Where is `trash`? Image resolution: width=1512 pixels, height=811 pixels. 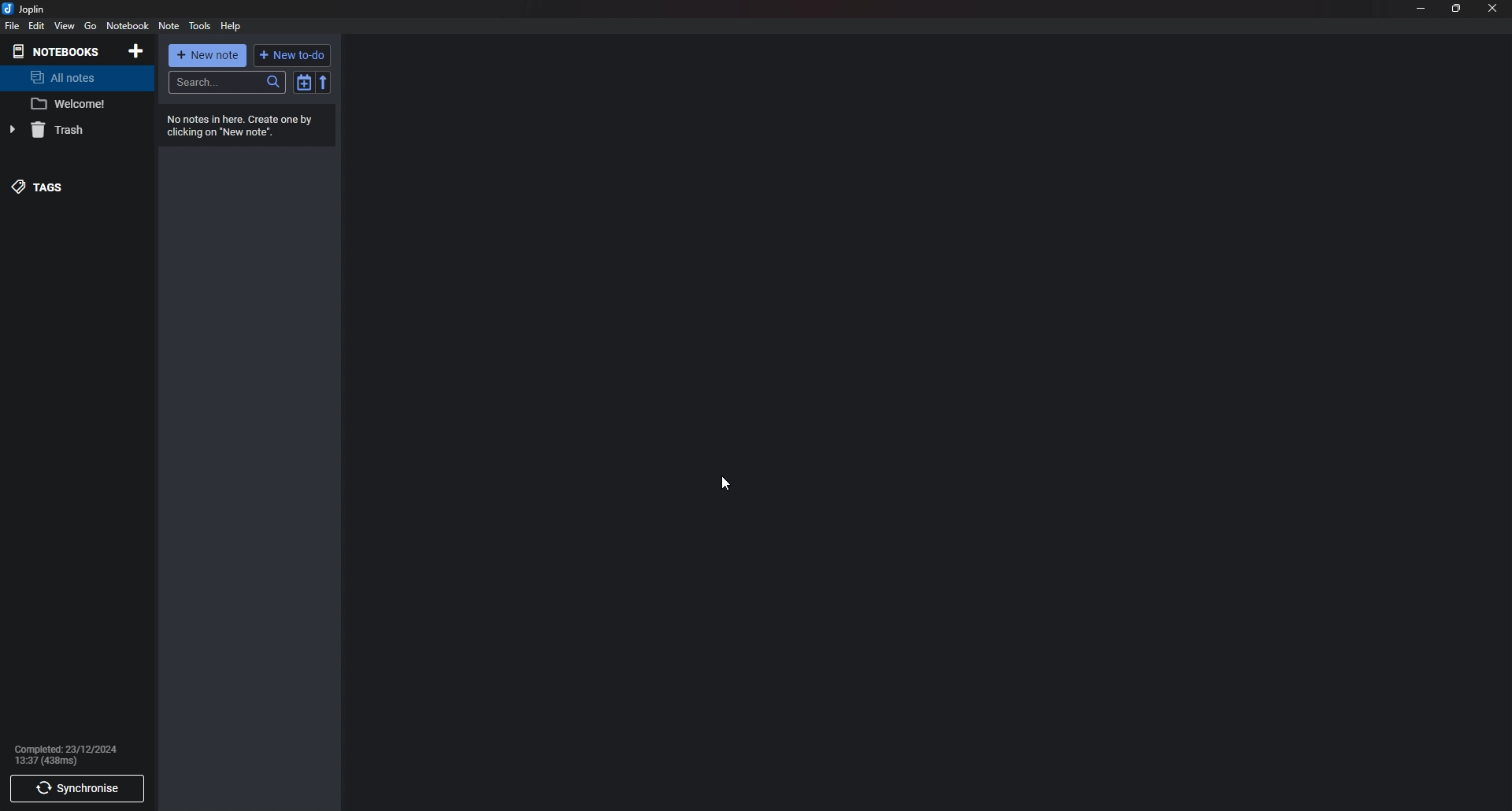 trash is located at coordinates (65, 129).